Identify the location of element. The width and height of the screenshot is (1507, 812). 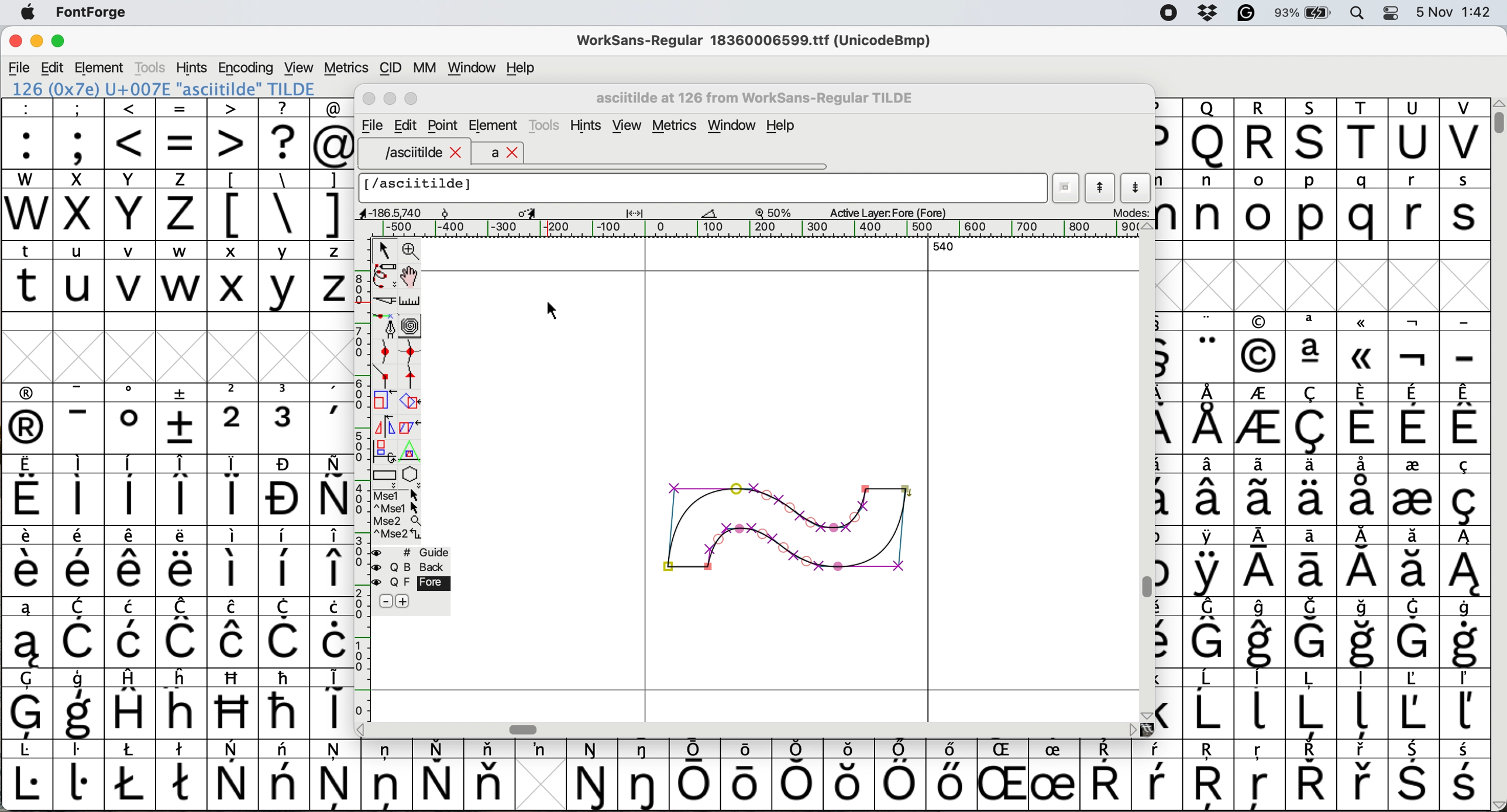
(101, 67).